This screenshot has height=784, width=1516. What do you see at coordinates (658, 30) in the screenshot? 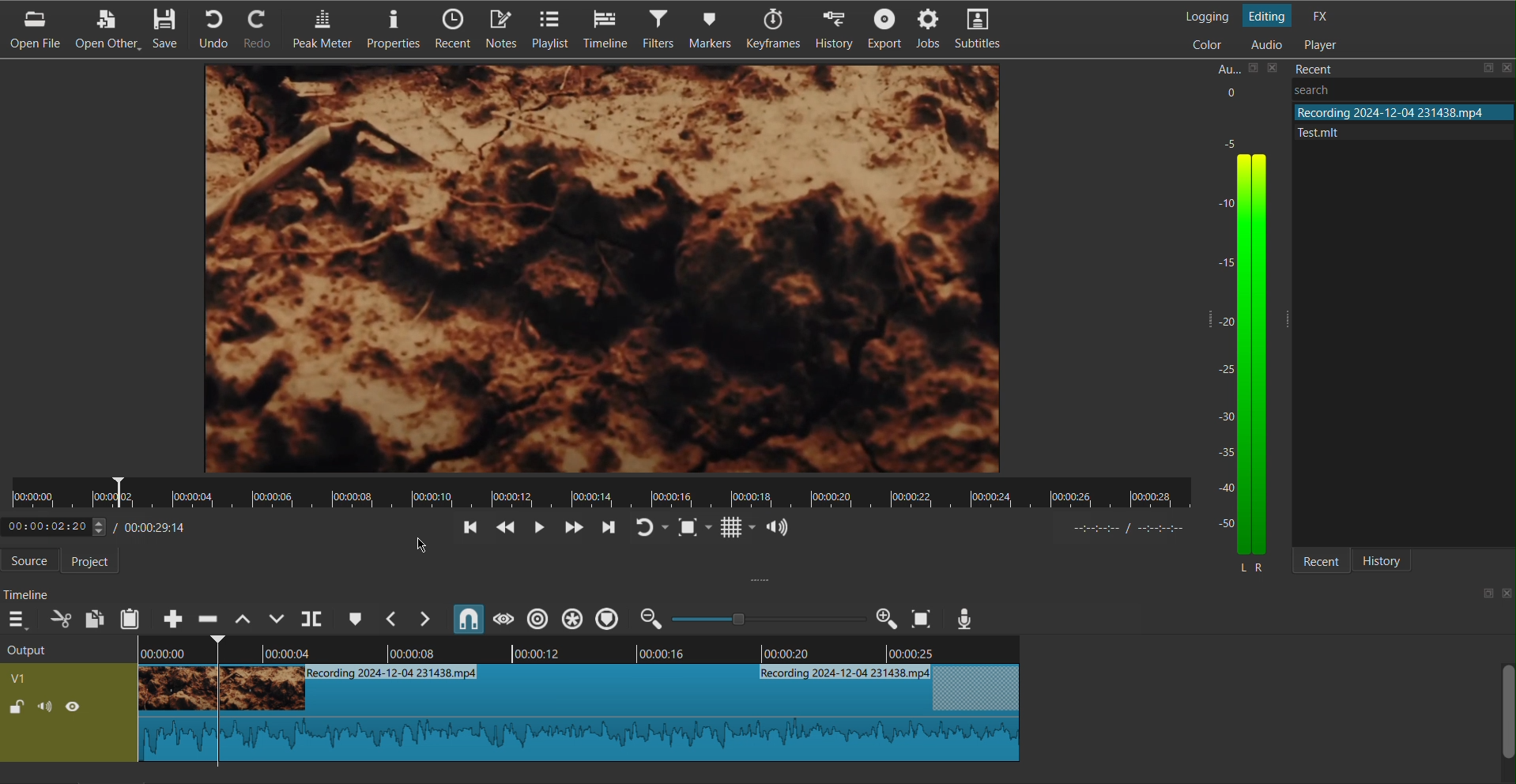
I see `Filters` at bounding box center [658, 30].